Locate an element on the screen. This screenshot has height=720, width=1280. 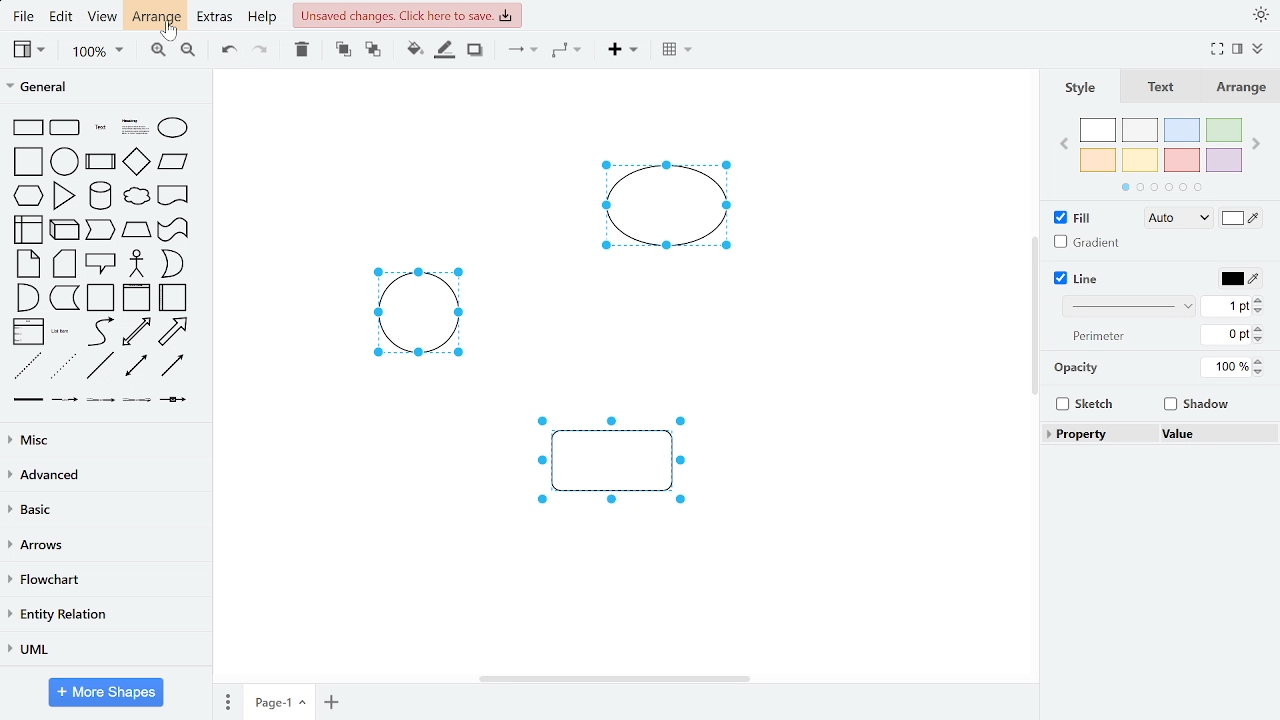
white is located at coordinates (1099, 130).